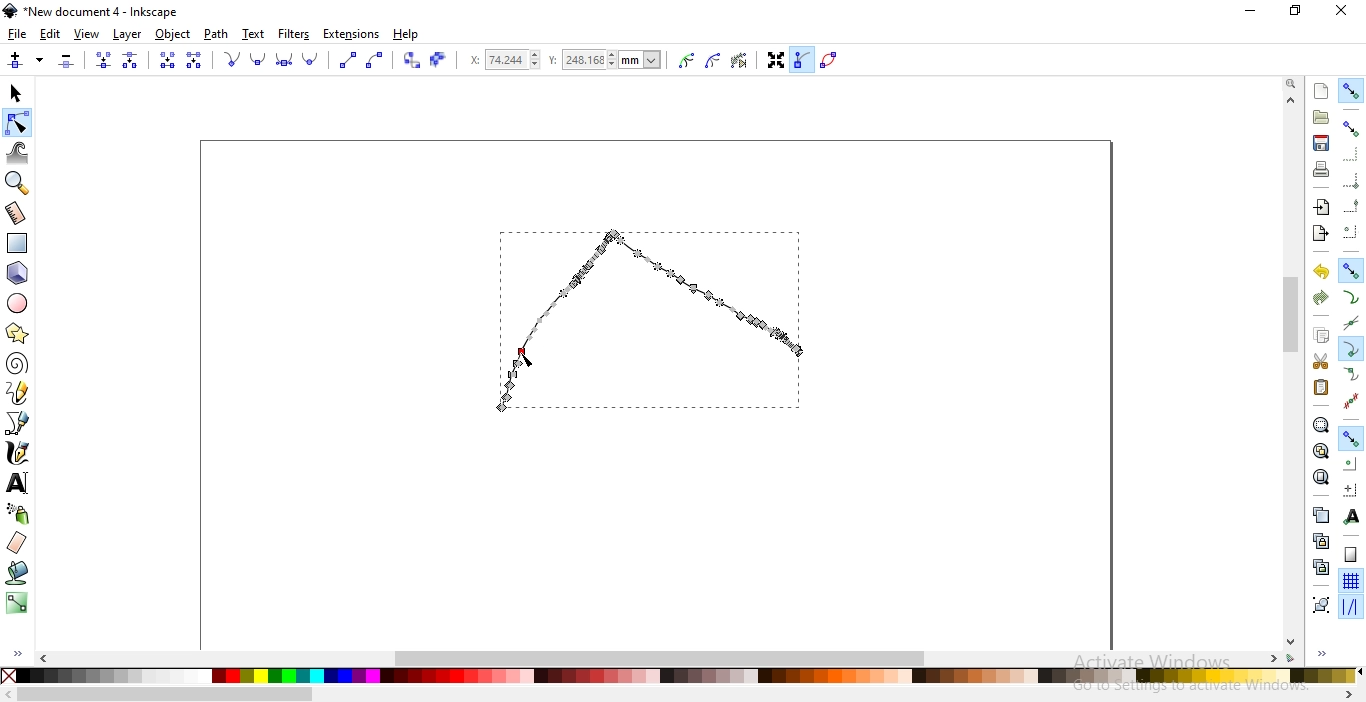 This screenshot has width=1366, height=702. I want to click on snap to edges of bounding boxes, so click(1349, 155).